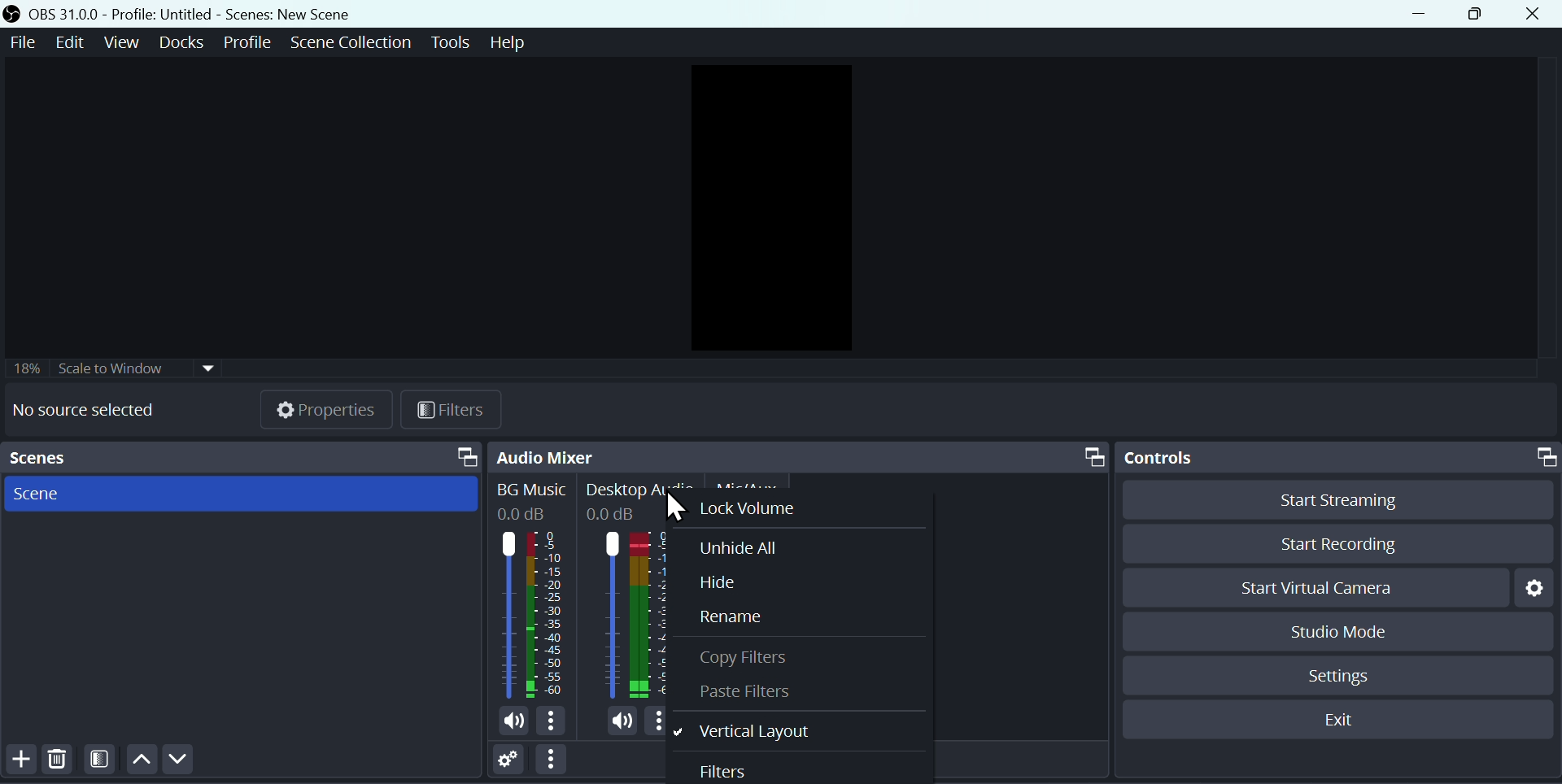 Image resolution: width=1562 pixels, height=784 pixels. Describe the element at coordinates (745, 660) in the screenshot. I see `Copy Filter` at that location.